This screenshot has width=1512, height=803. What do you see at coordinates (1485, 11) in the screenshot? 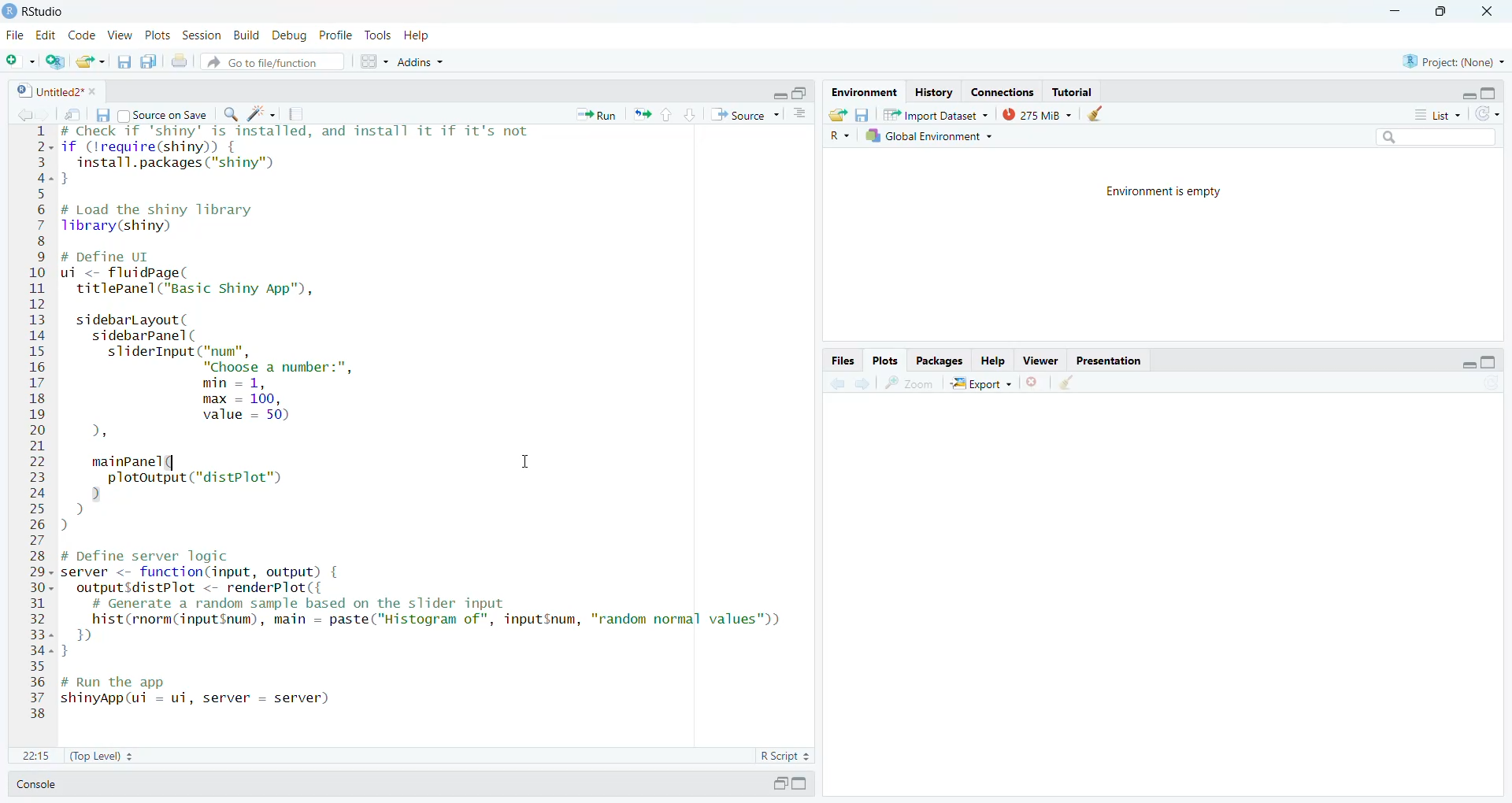
I see `close` at bounding box center [1485, 11].